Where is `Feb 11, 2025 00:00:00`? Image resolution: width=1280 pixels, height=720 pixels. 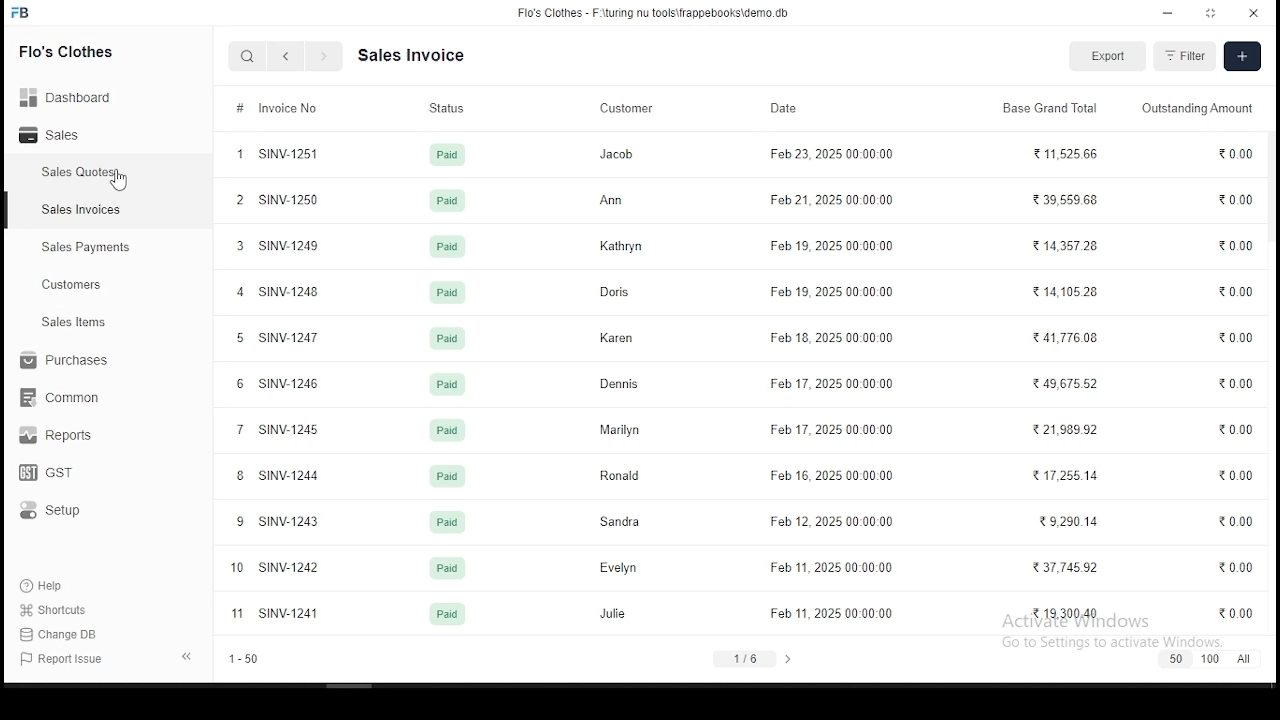
Feb 11, 2025 00:00:00 is located at coordinates (837, 609).